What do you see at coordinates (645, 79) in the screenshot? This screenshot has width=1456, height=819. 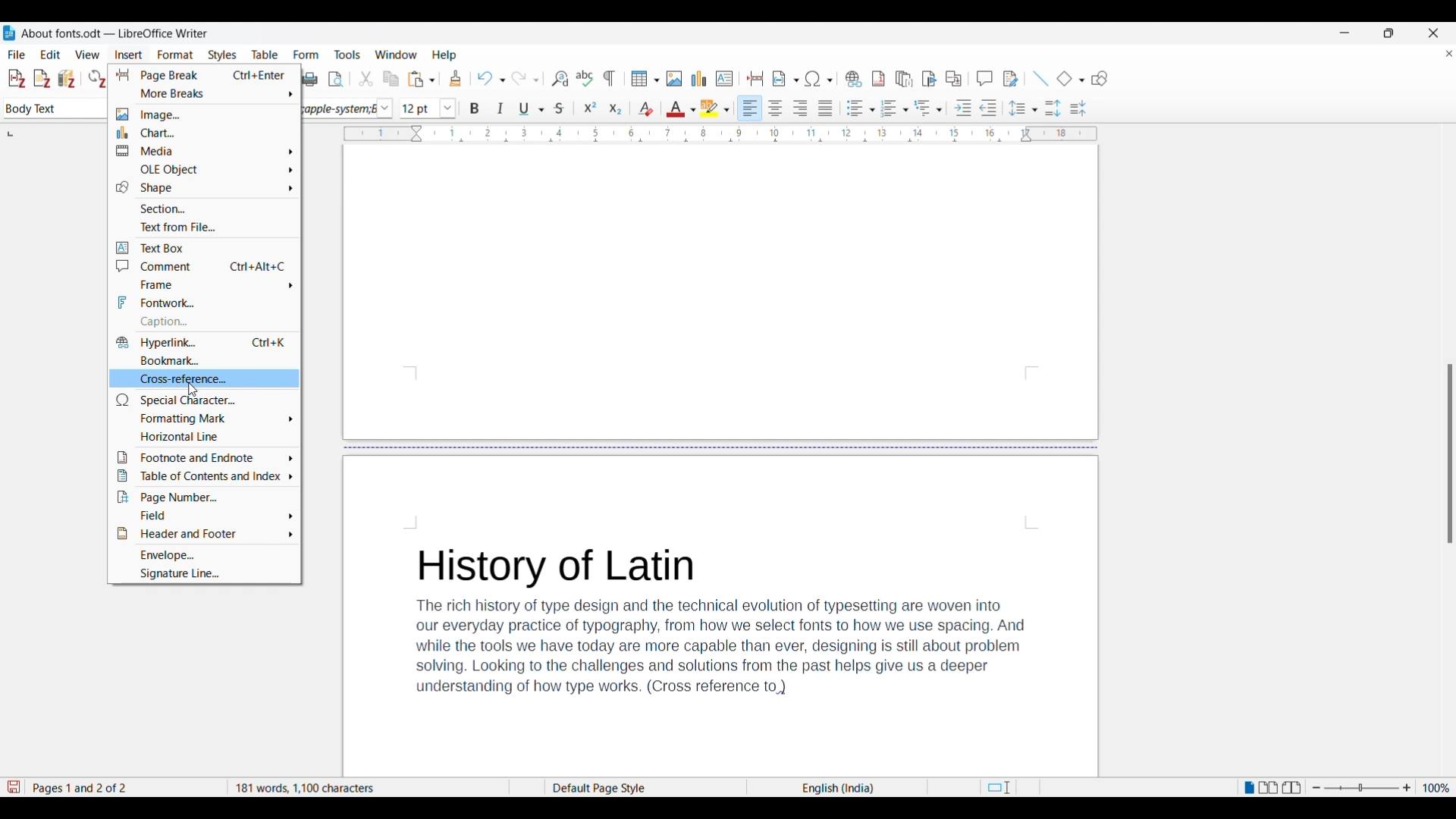 I see `Insert table` at bounding box center [645, 79].